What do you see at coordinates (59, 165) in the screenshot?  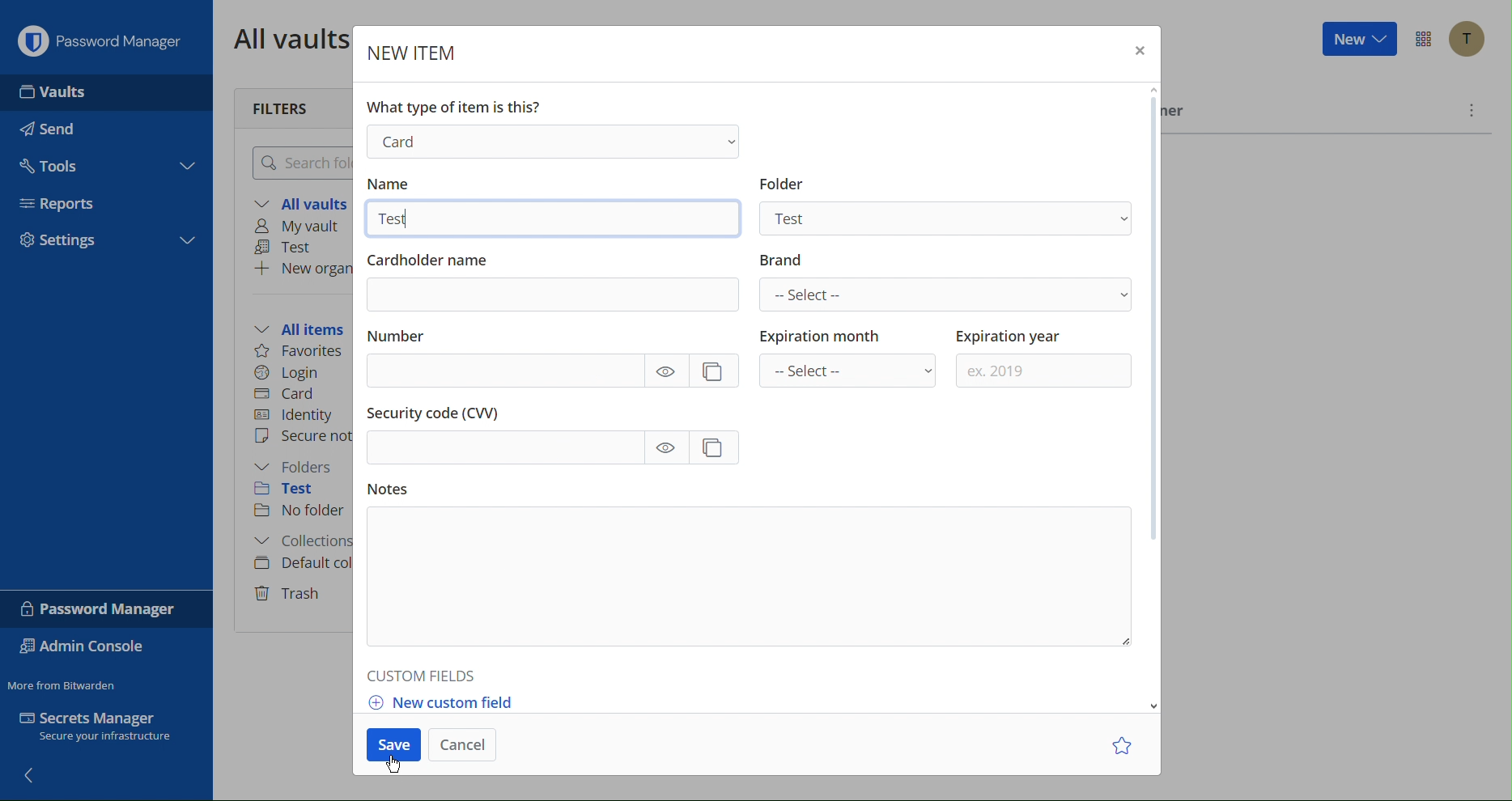 I see `Tools` at bounding box center [59, 165].